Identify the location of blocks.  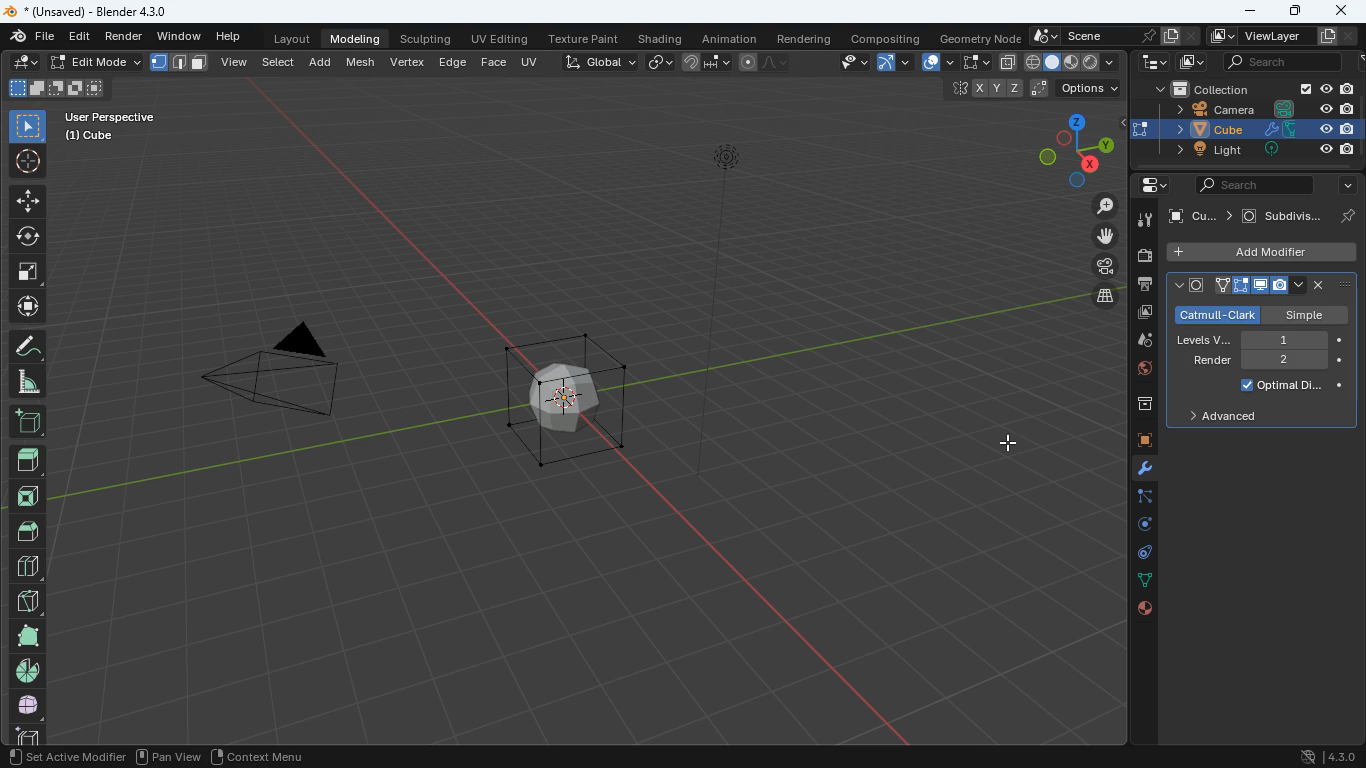
(28, 569).